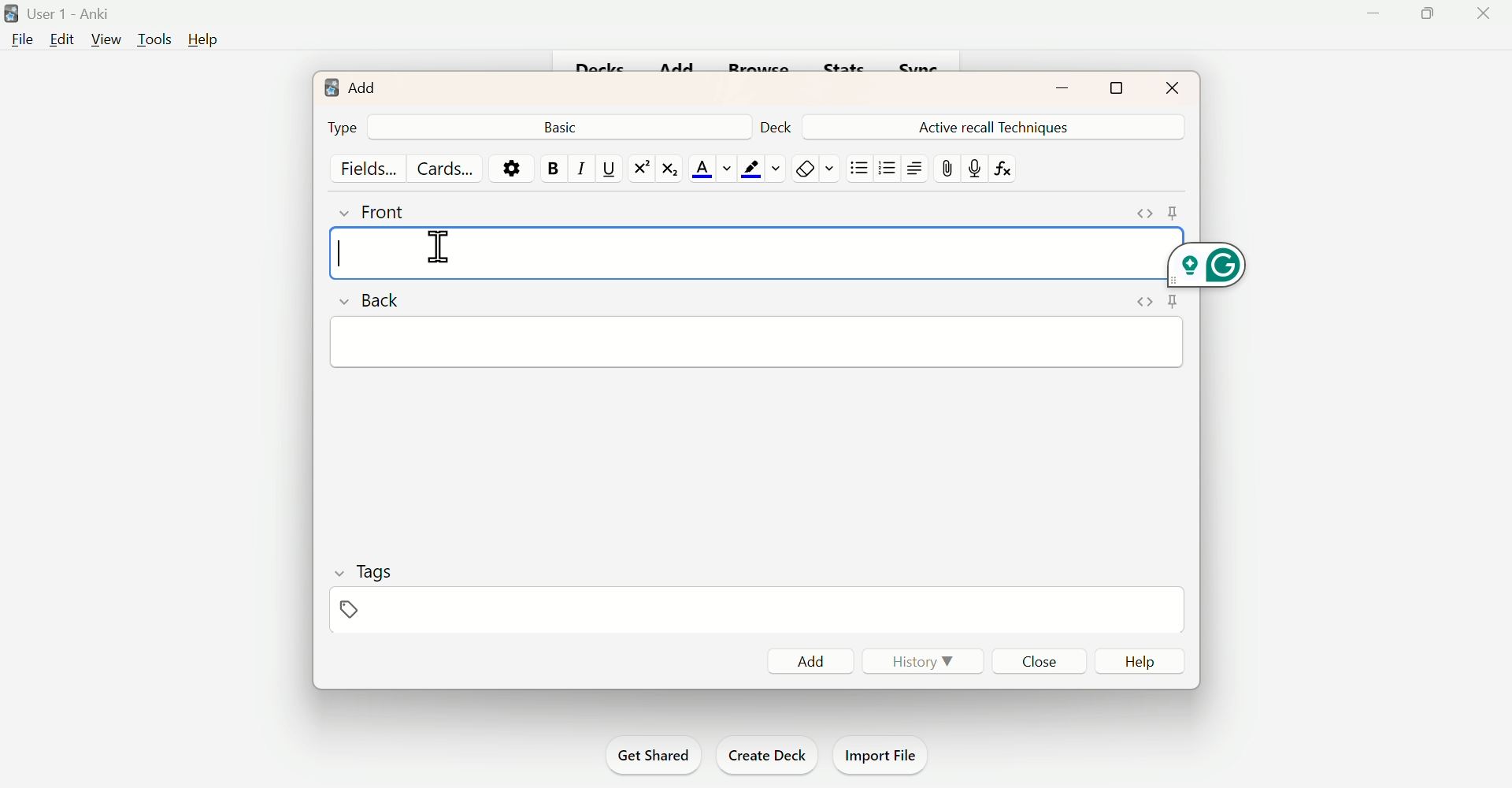  I want to click on Front, so click(395, 210).